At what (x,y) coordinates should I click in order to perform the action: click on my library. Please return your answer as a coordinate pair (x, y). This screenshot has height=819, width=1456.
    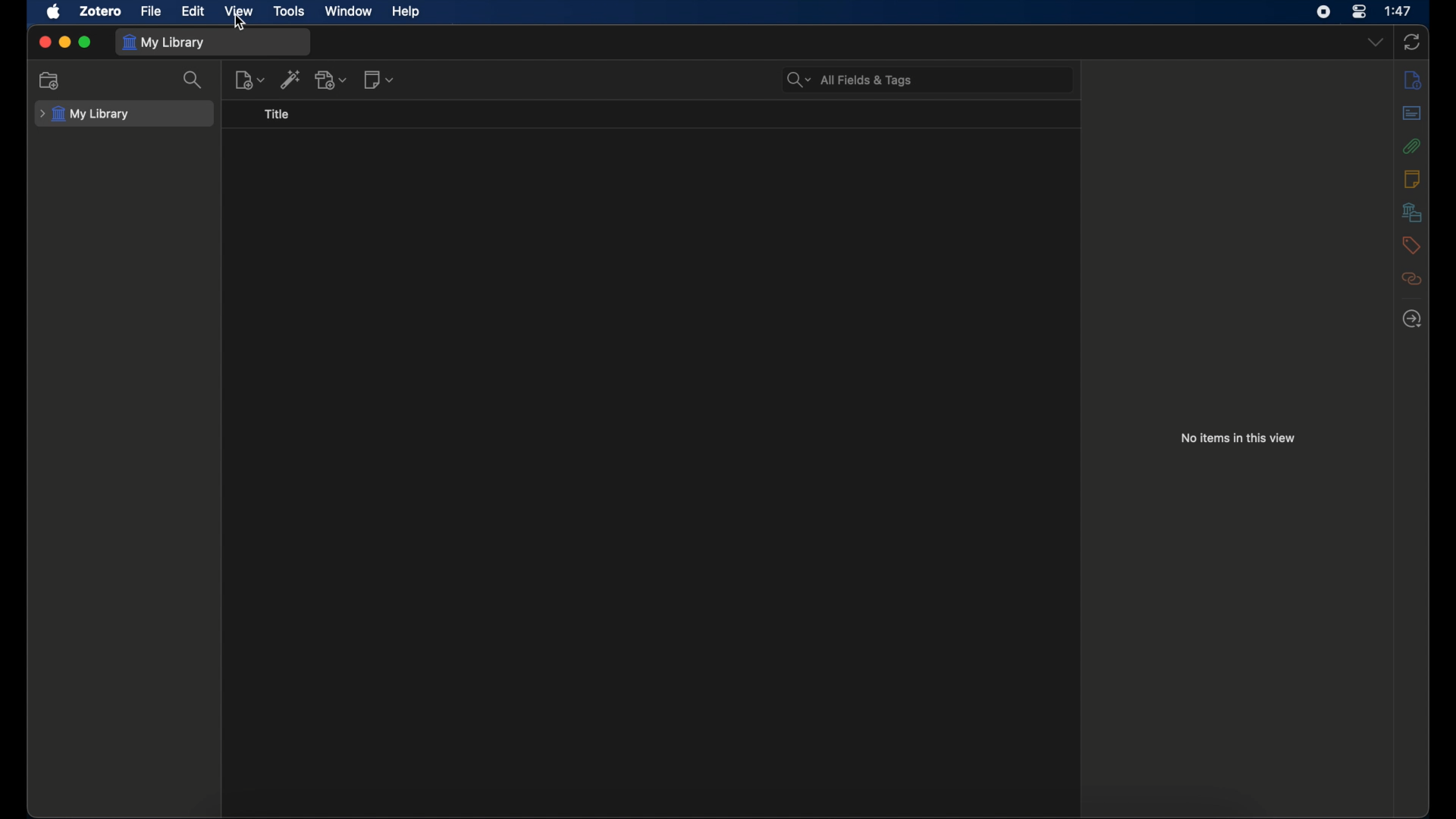
    Looking at the image, I should click on (163, 42).